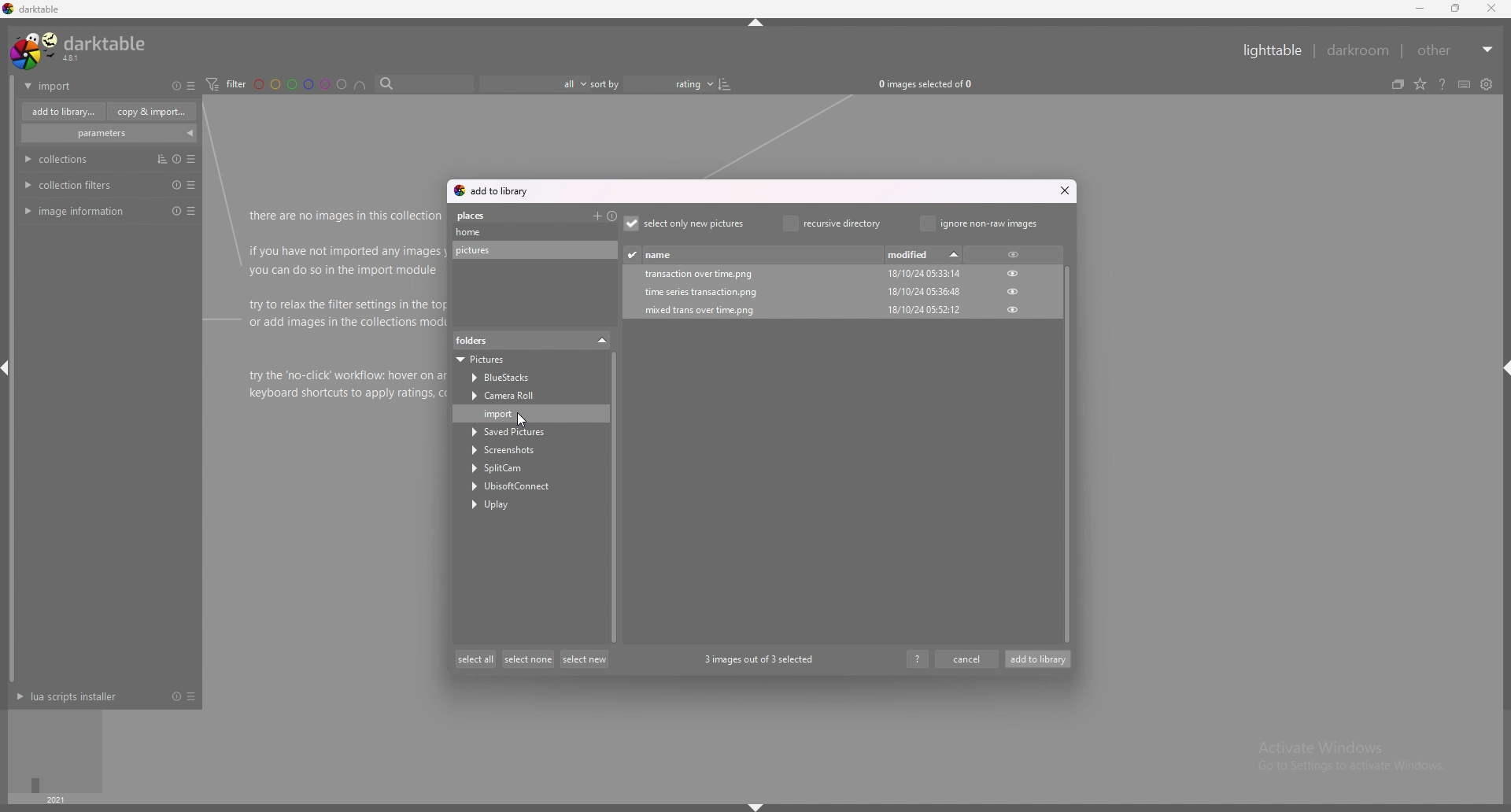 This screenshot has height=812, width=1511. Describe the element at coordinates (1275, 50) in the screenshot. I see `lighttable` at that location.